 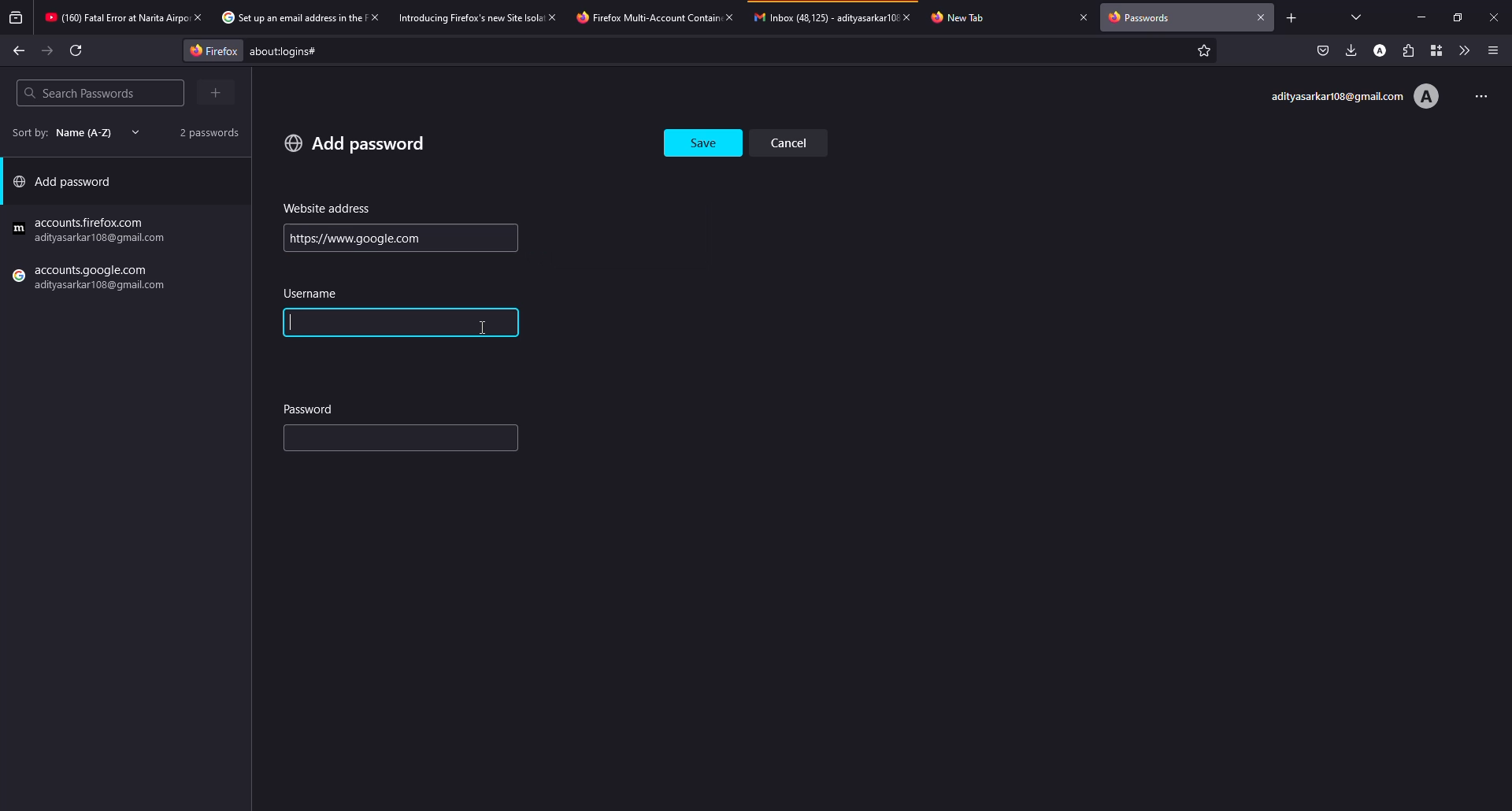 What do you see at coordinates (1493, 50) in the screenshot?
I see `menu` at bounding box center [1493, 50].